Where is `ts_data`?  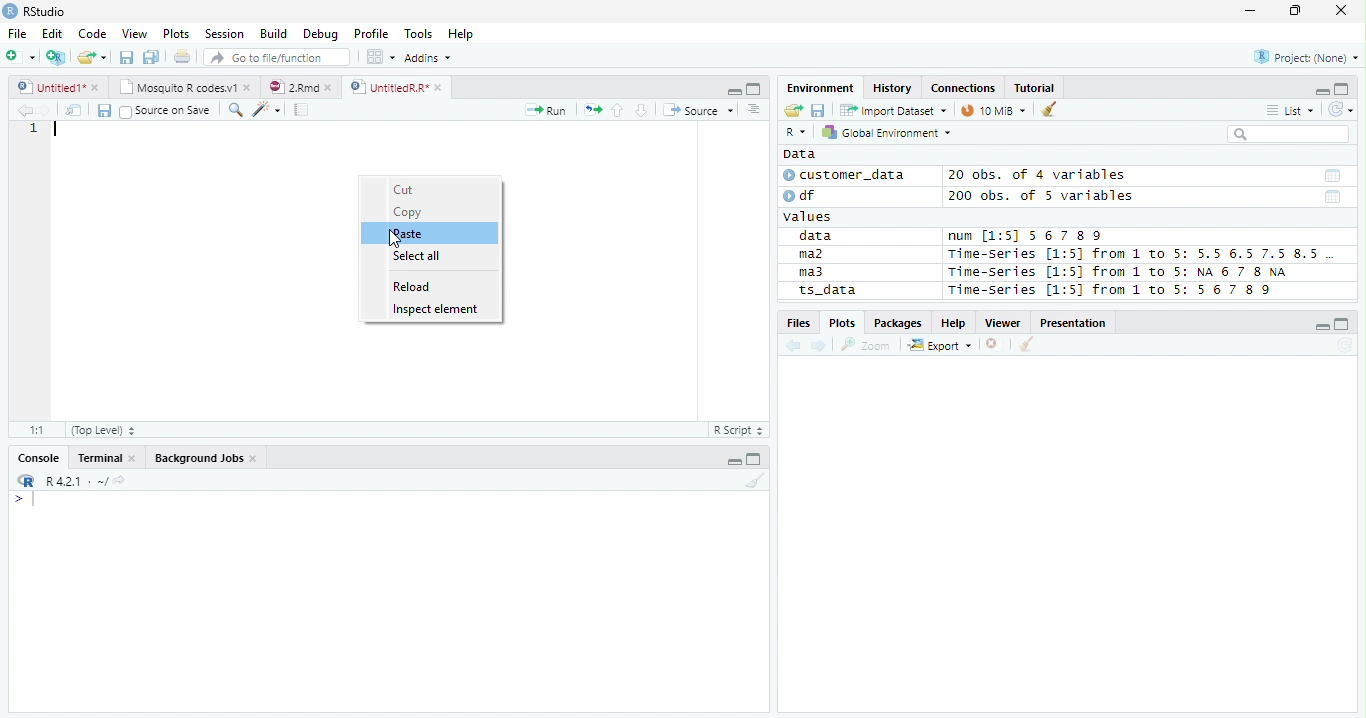
ts_data is located at coordinates (855, 293).